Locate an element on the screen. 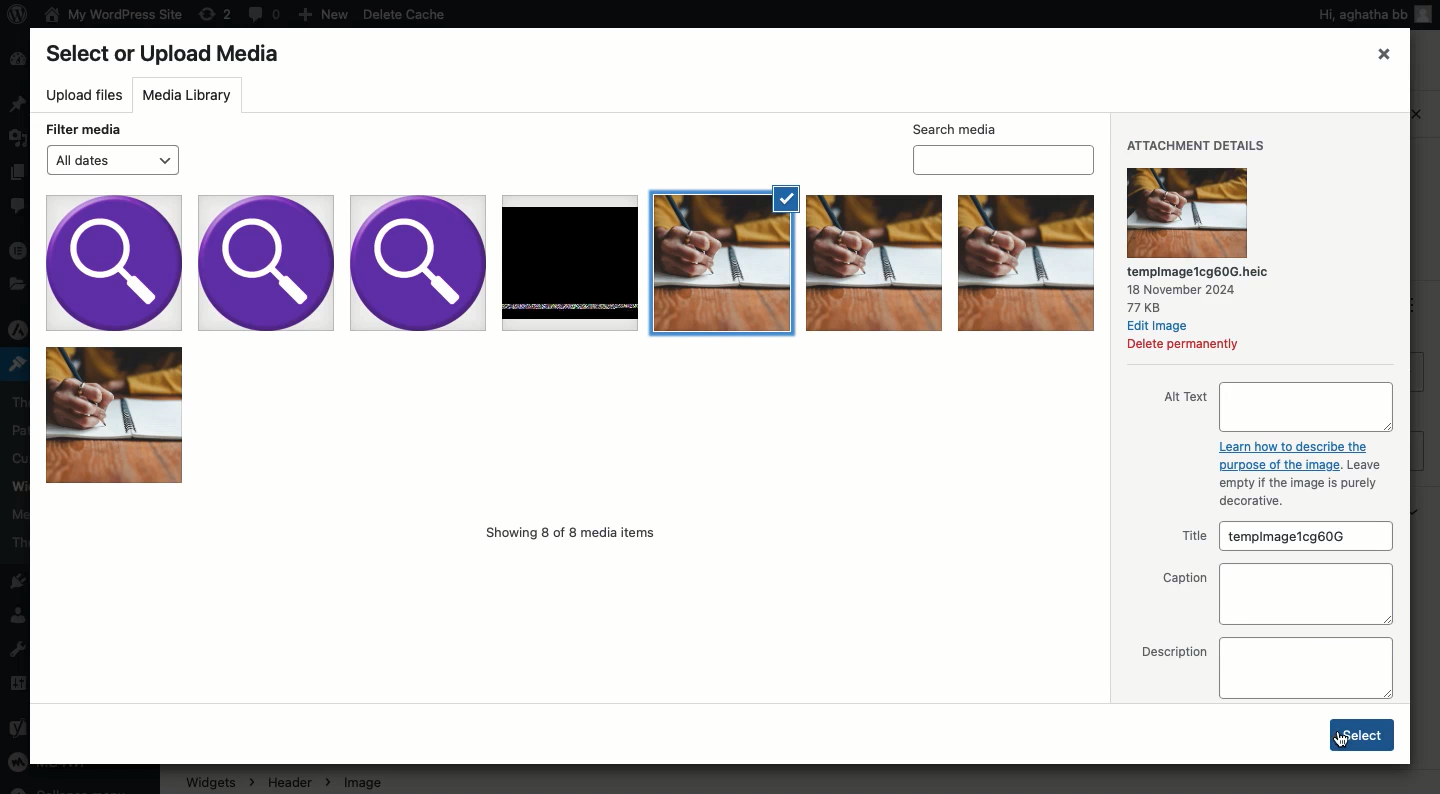  Search media is located at coordinates (1005, 146).